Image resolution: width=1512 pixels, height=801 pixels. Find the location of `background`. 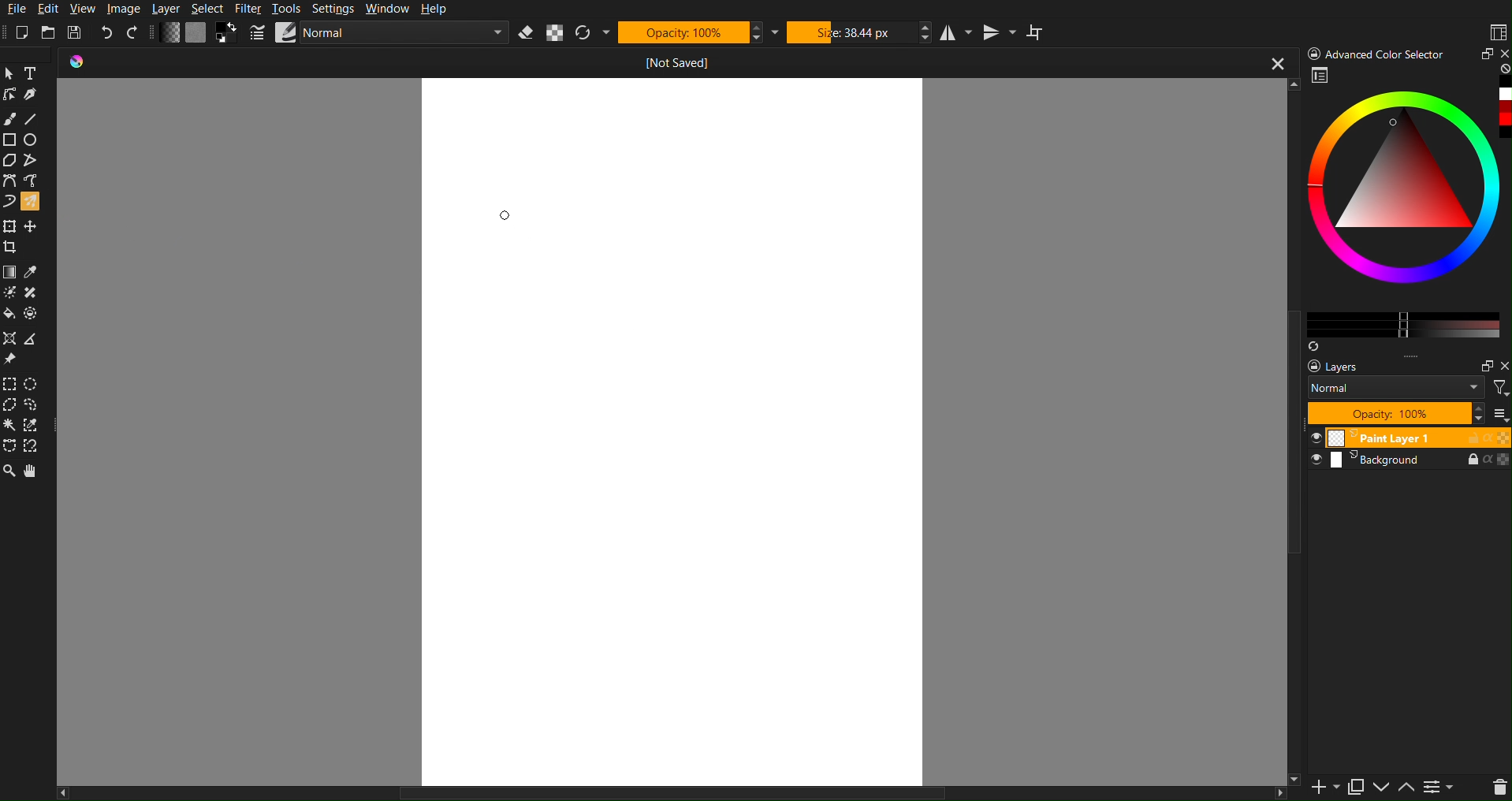

background is located at coordinates (1412, 464).